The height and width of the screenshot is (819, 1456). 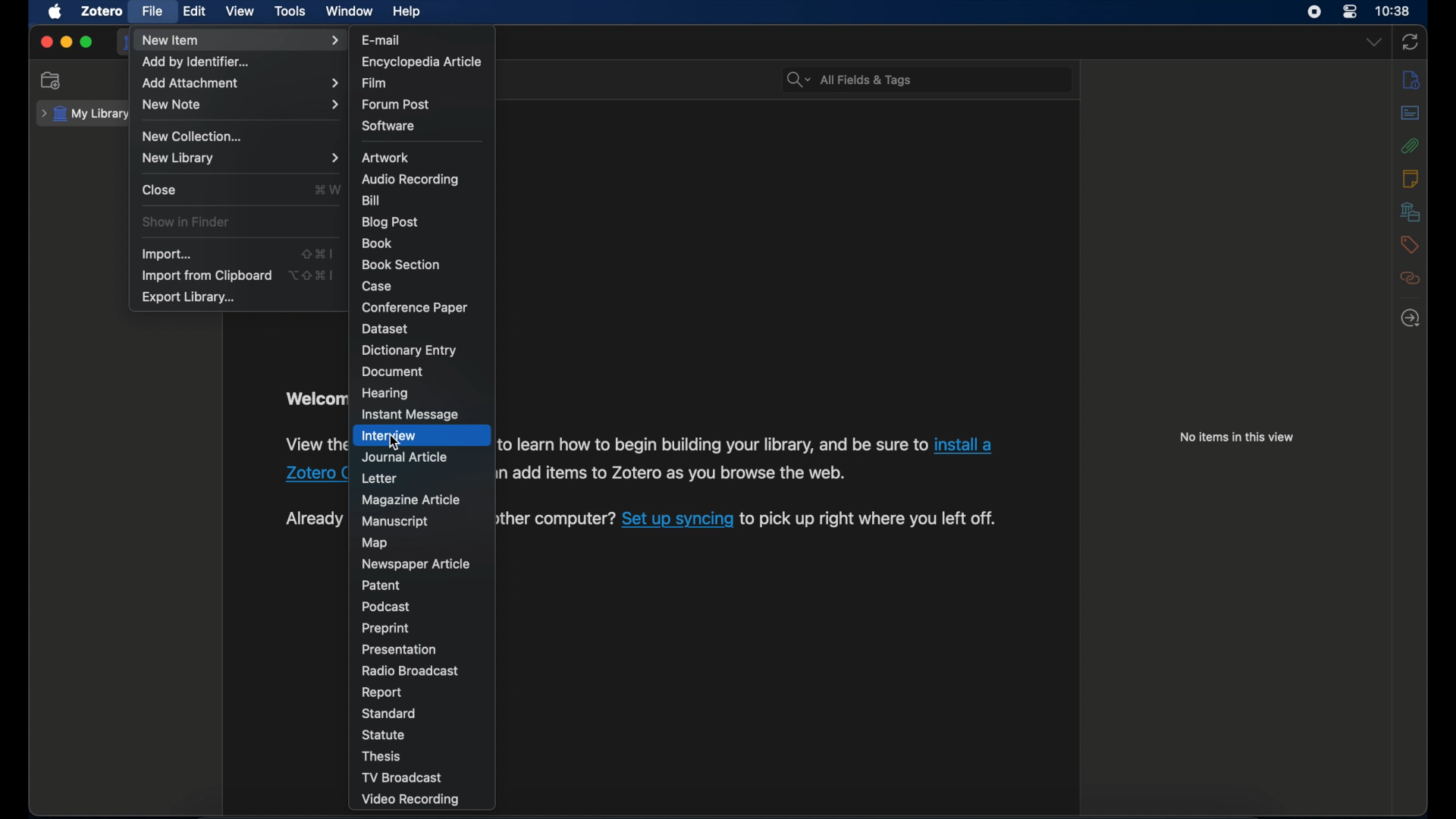 What do you see at coordinates (422, 62) in the screenshot?
I see `encyclopedia article` at bounding box center [422, 62].